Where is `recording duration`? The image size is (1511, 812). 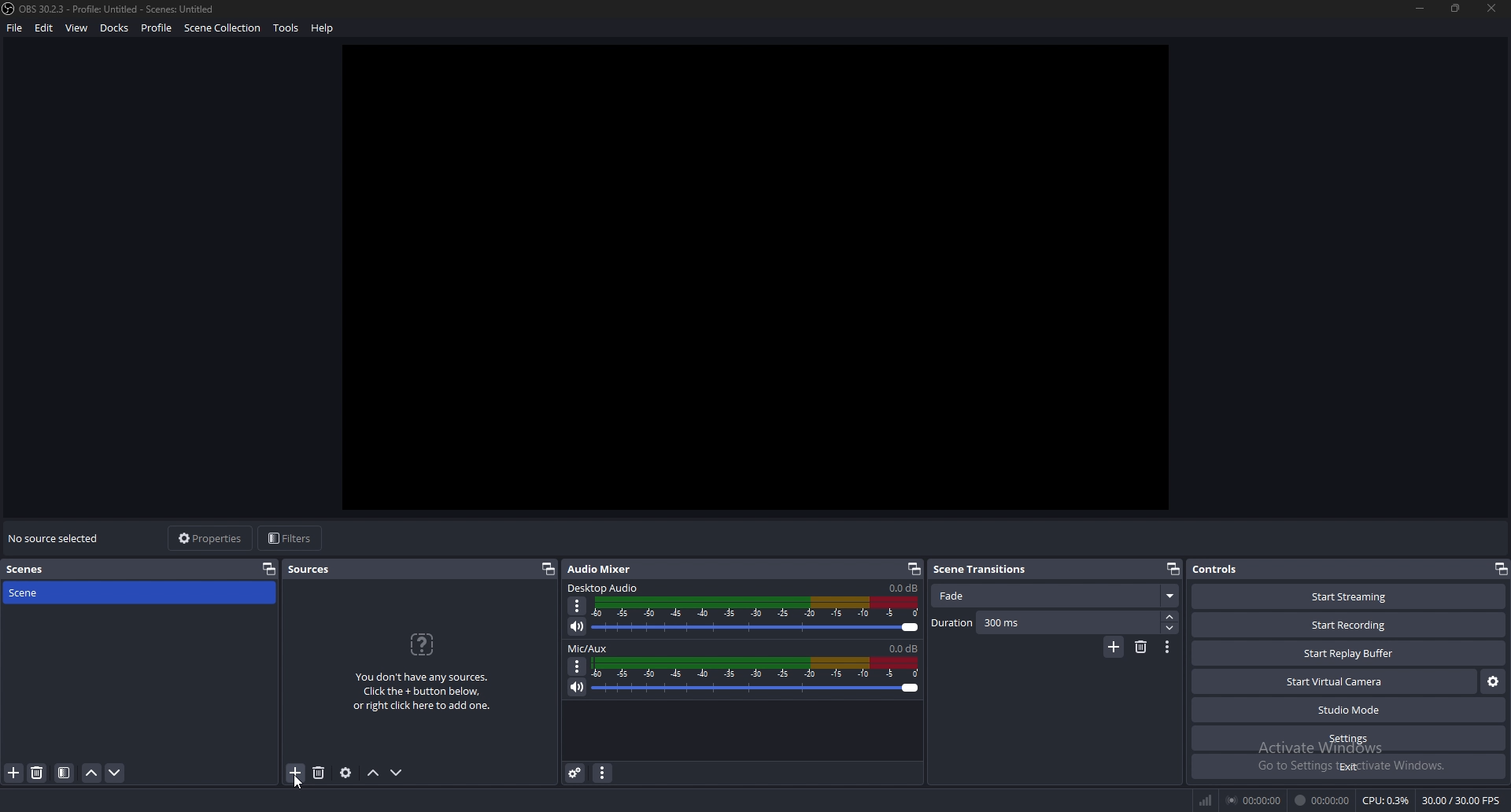
recording duration is located at coordinates (1325, 800).